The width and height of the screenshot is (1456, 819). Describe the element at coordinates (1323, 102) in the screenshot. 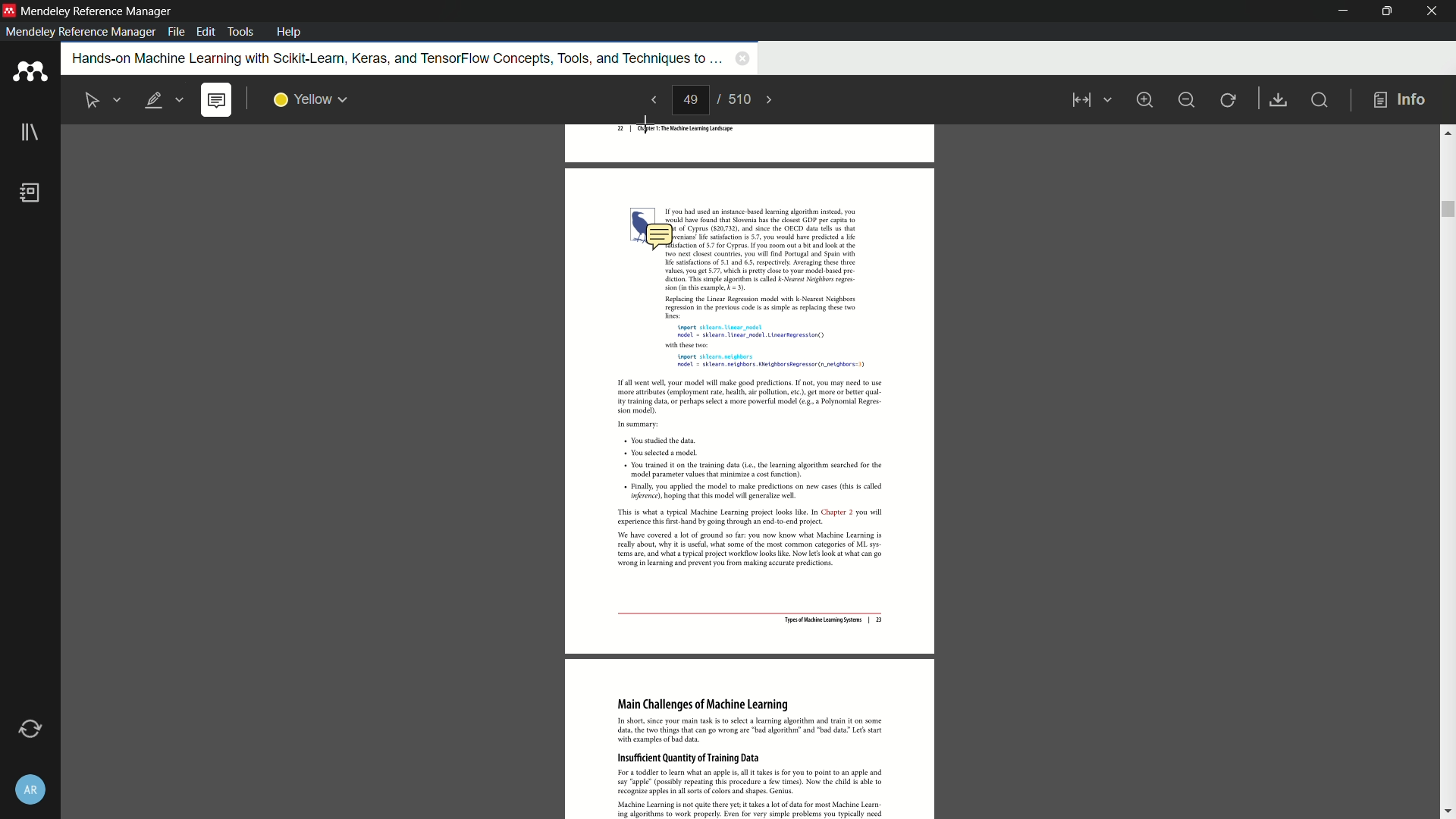

I see `find` at that location.